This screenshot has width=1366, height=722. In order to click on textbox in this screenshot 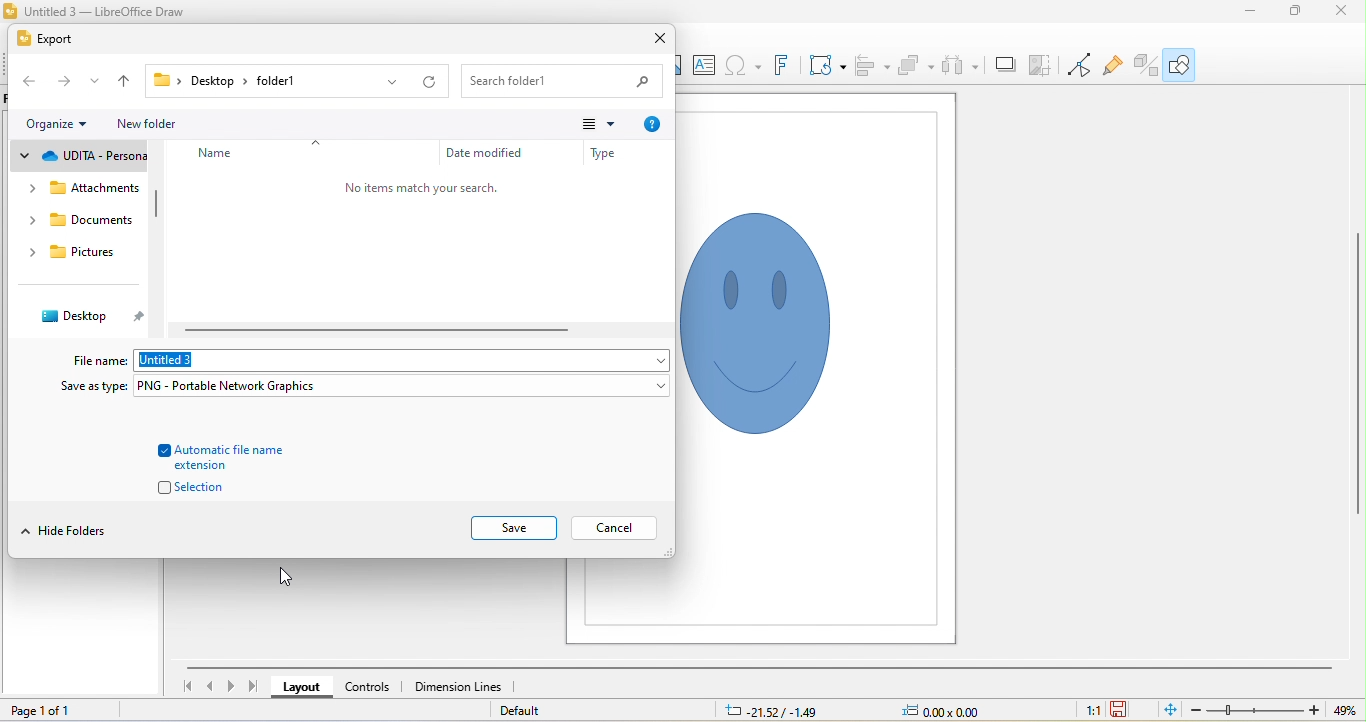, I will do `click(704, 66)`.